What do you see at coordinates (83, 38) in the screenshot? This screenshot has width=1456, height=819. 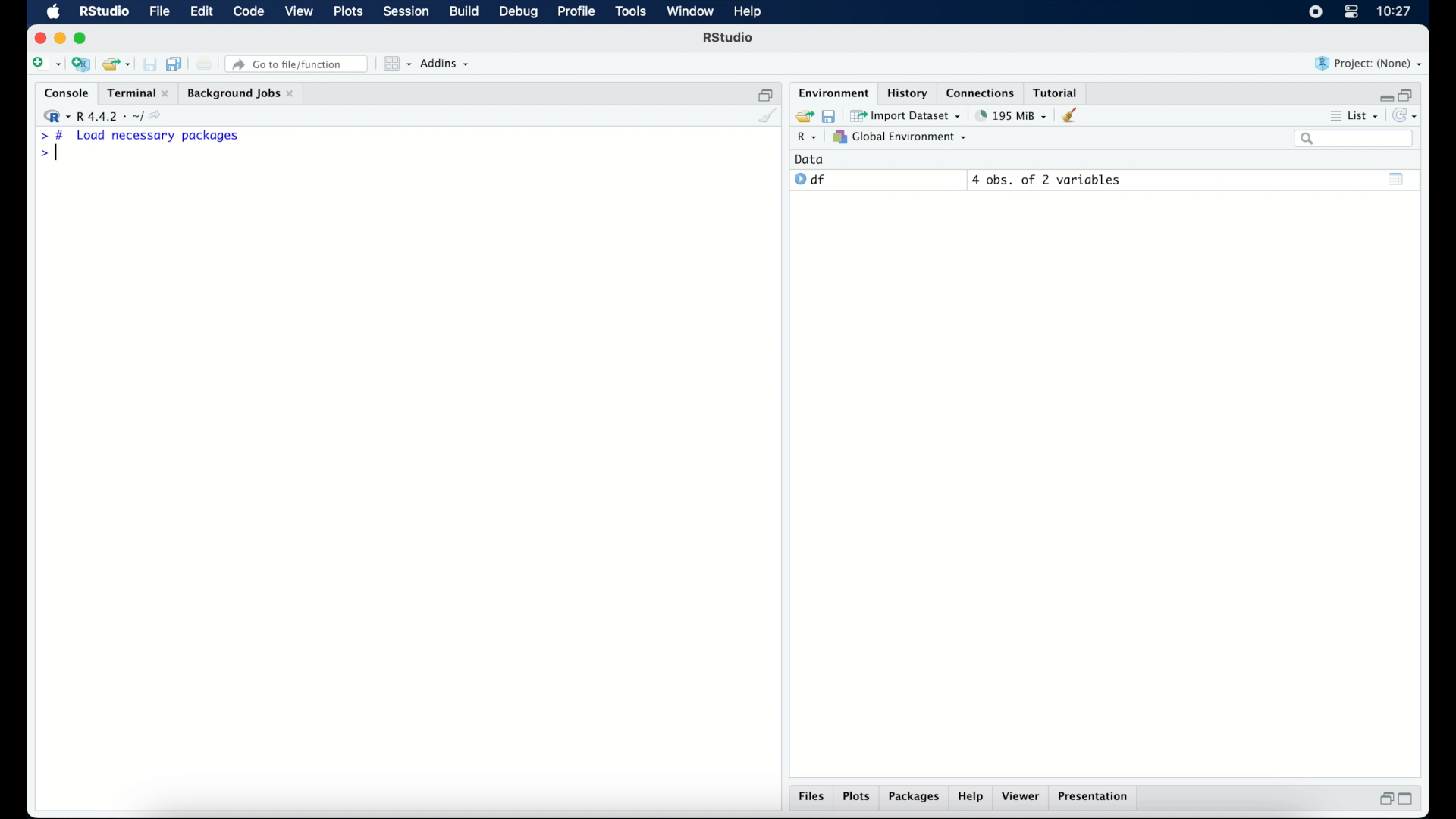 I see `maximize` at bounding box center [83, 38].